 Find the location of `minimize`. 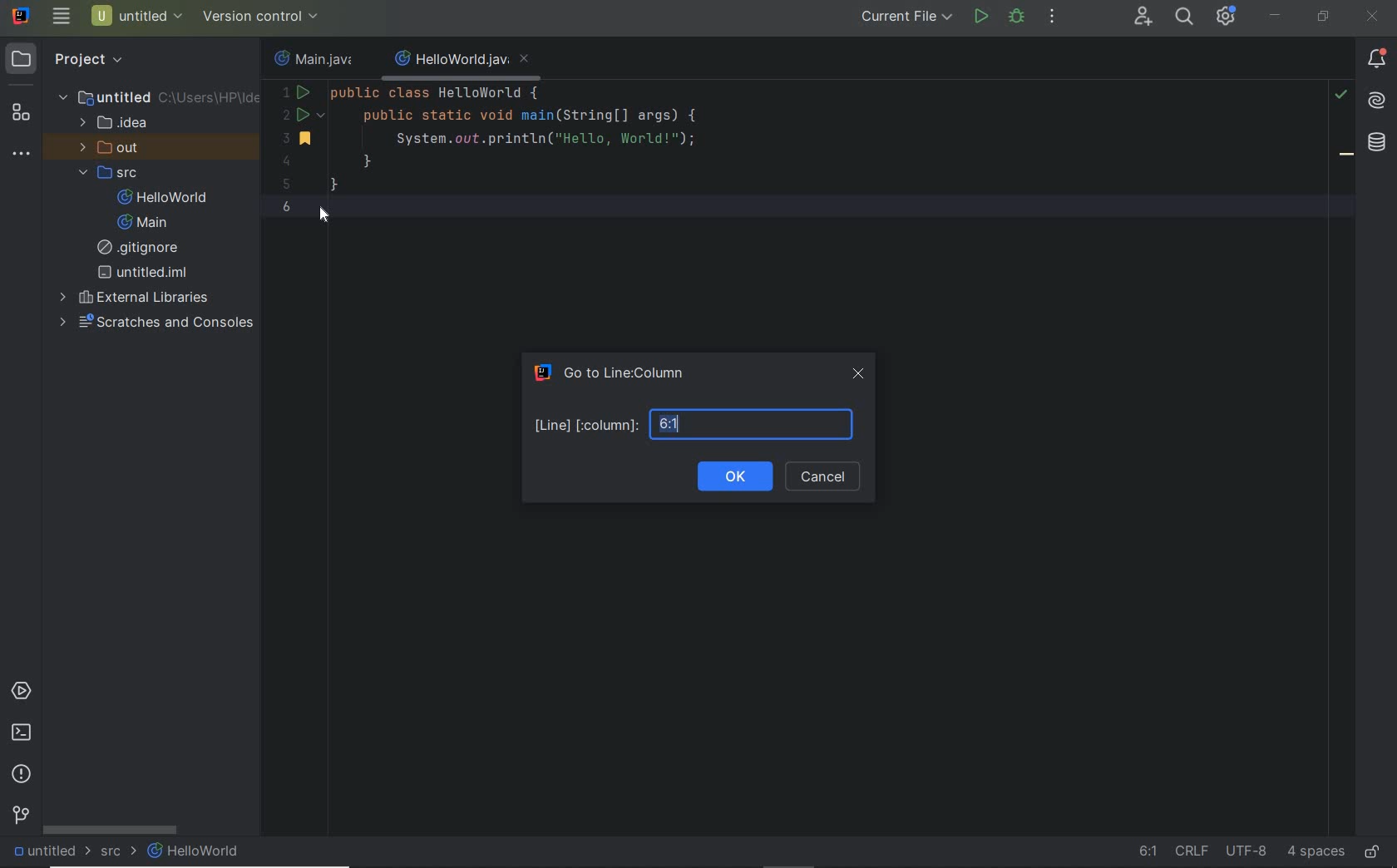

minimize is located at coordinates (1276, 16).